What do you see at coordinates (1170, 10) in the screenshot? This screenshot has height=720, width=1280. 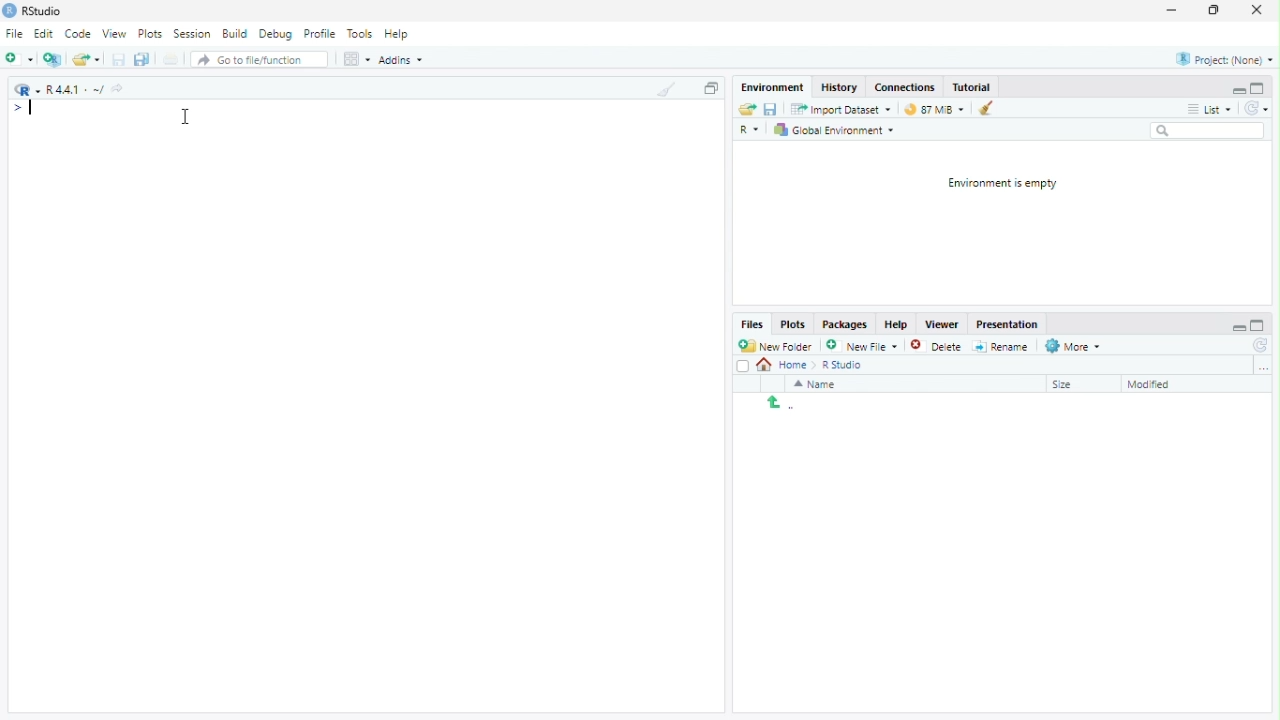 I see `Minimize` at bounding box center [1170, 10].